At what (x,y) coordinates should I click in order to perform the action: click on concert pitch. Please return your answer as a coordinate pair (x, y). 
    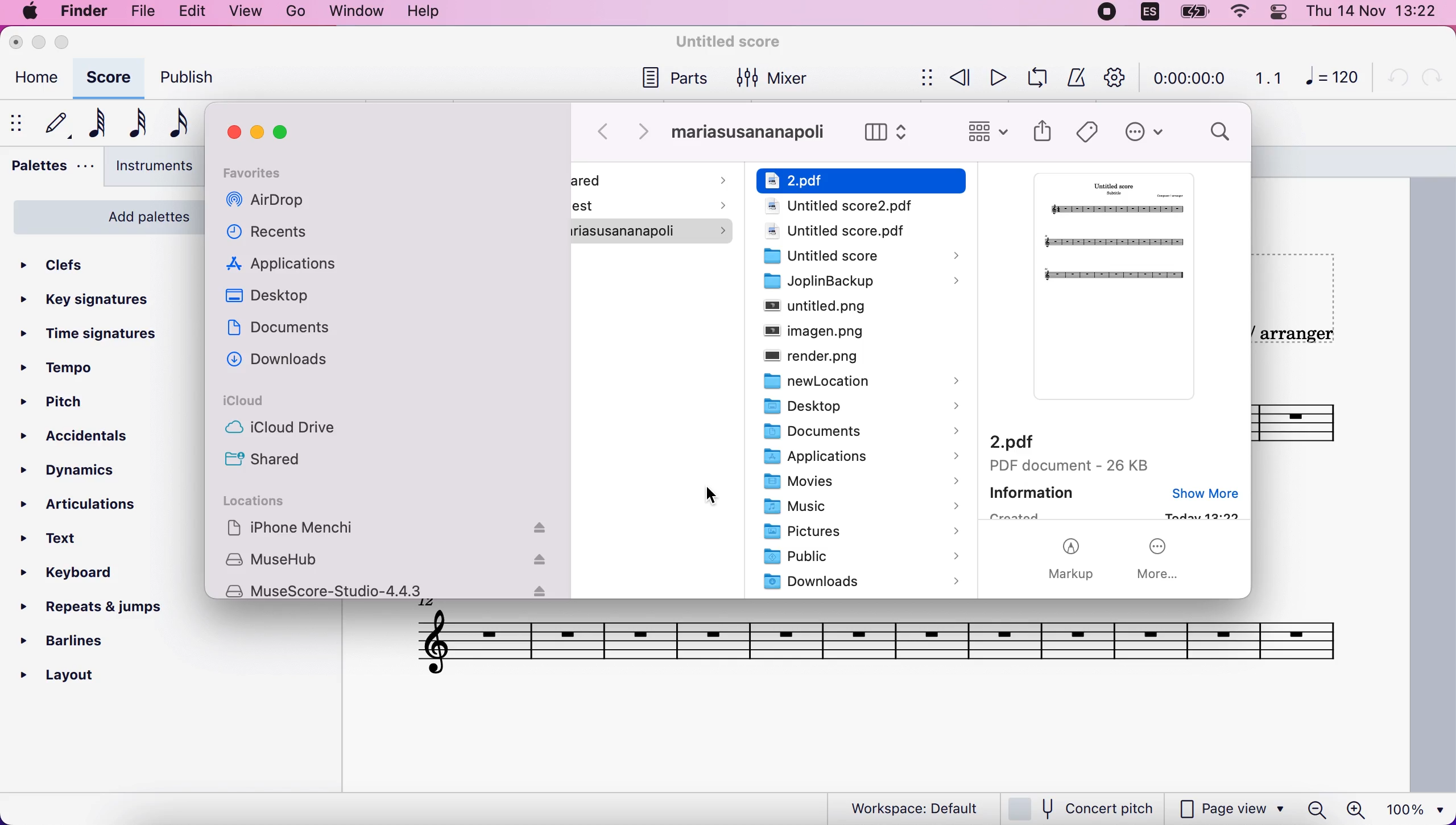
    Looking at the image, I should click on (1084, 807).